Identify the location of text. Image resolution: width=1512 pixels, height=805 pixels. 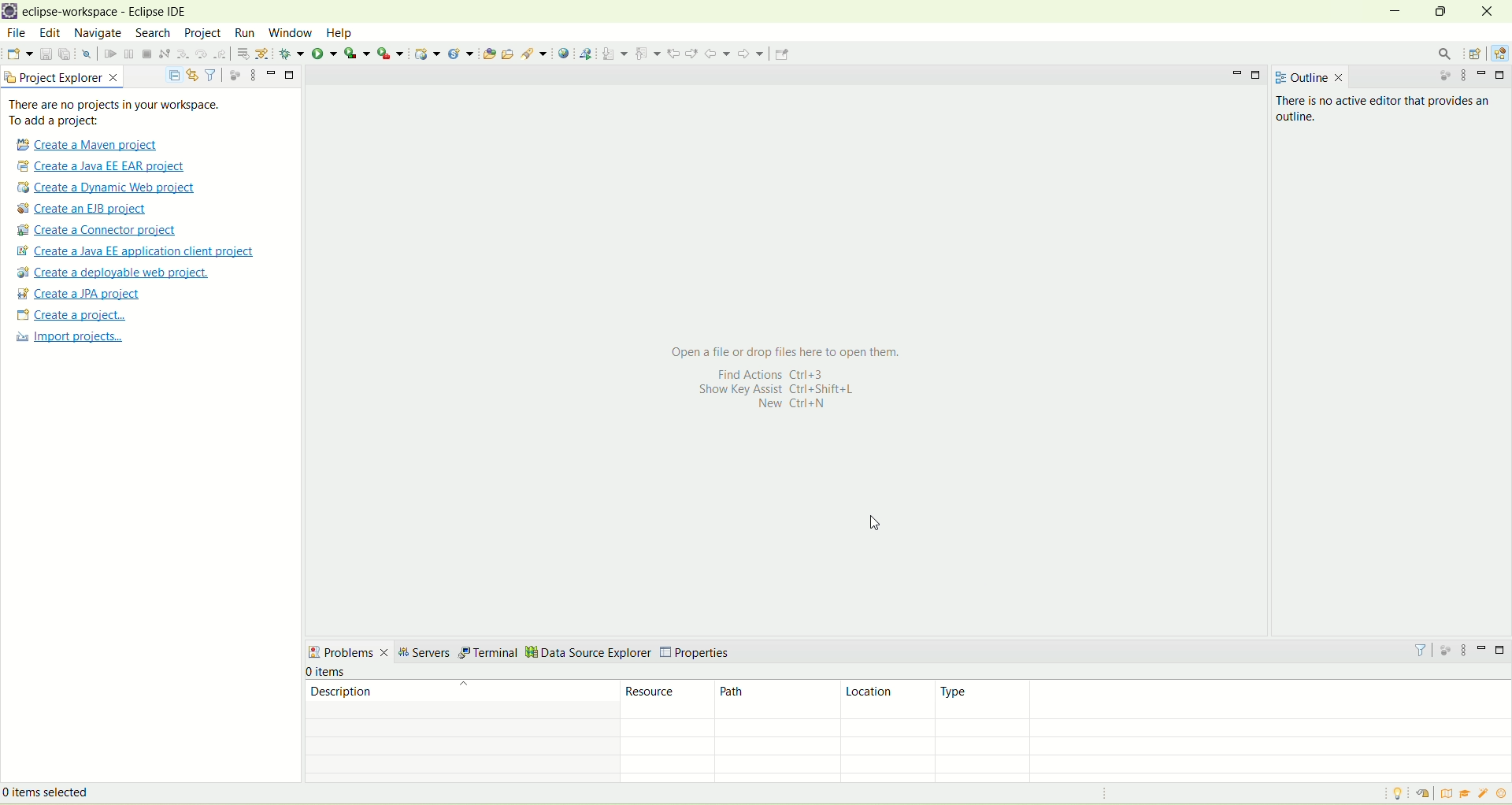
(124, 113).